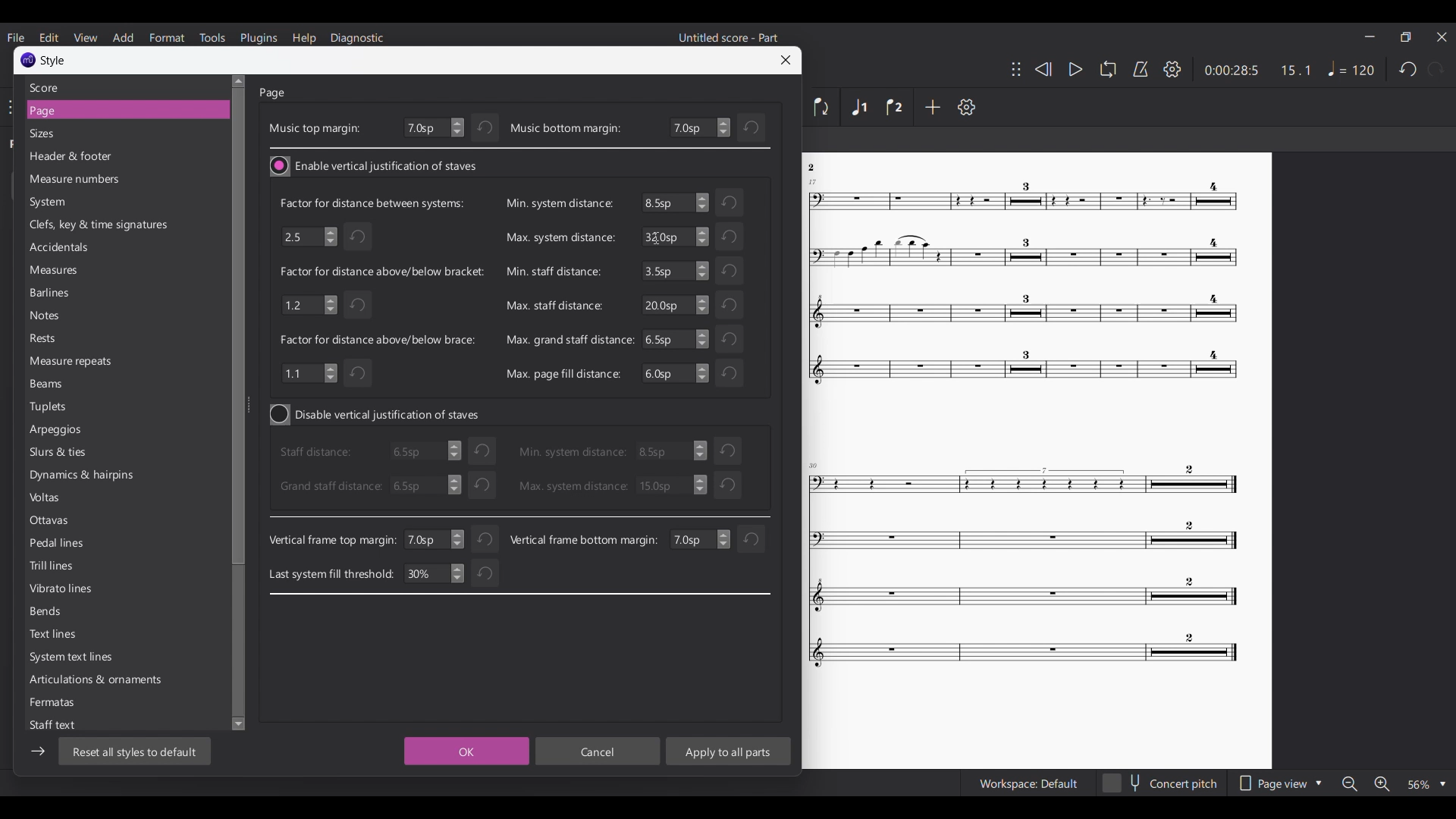 The height and width of the screenshot is (819, 1456). Describe the element at coordinates (584, 539) in the screenshot. I see `Vertical frame bottom margin` at that location.